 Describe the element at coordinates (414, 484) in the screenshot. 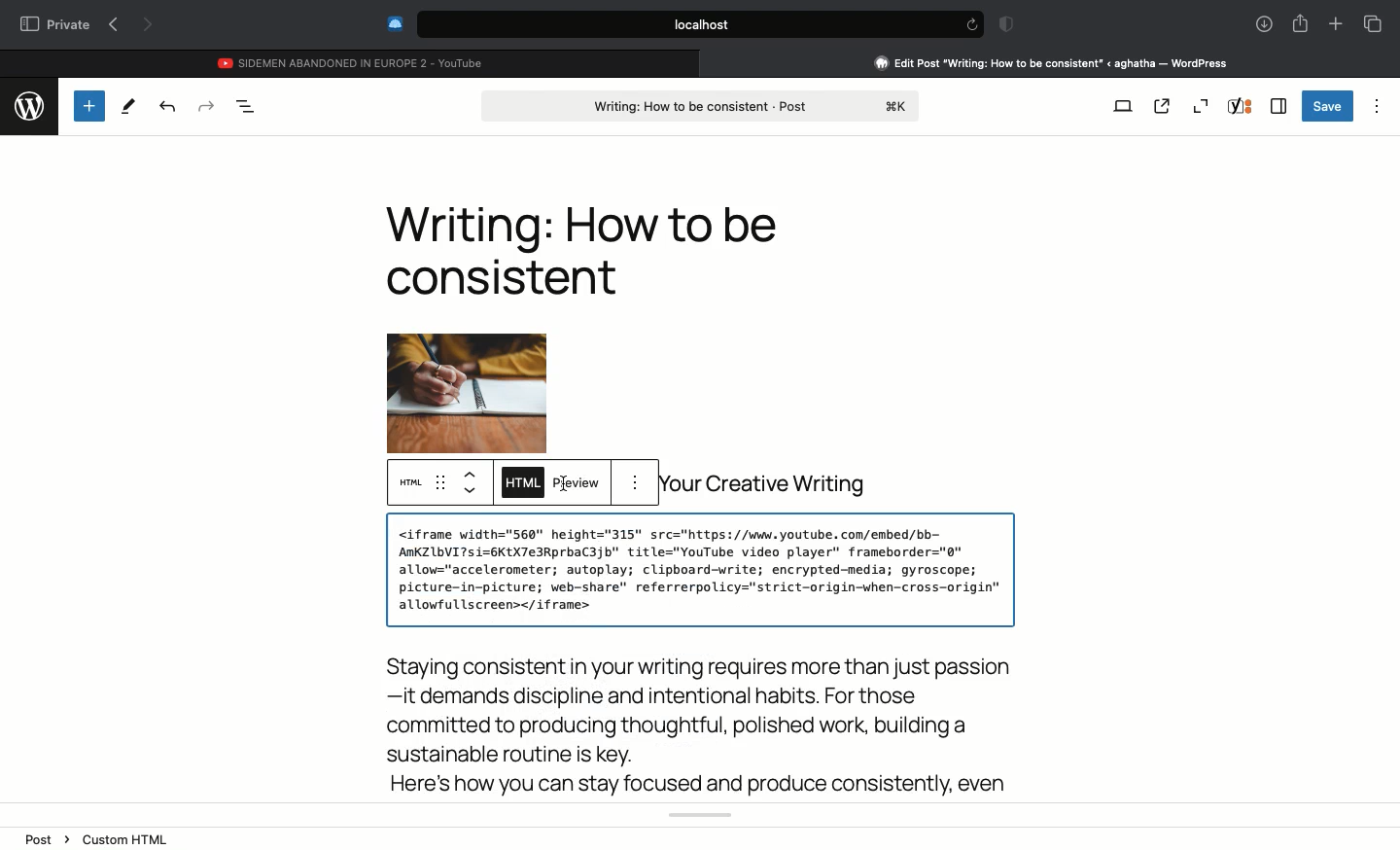

I see `HTML` at that location.